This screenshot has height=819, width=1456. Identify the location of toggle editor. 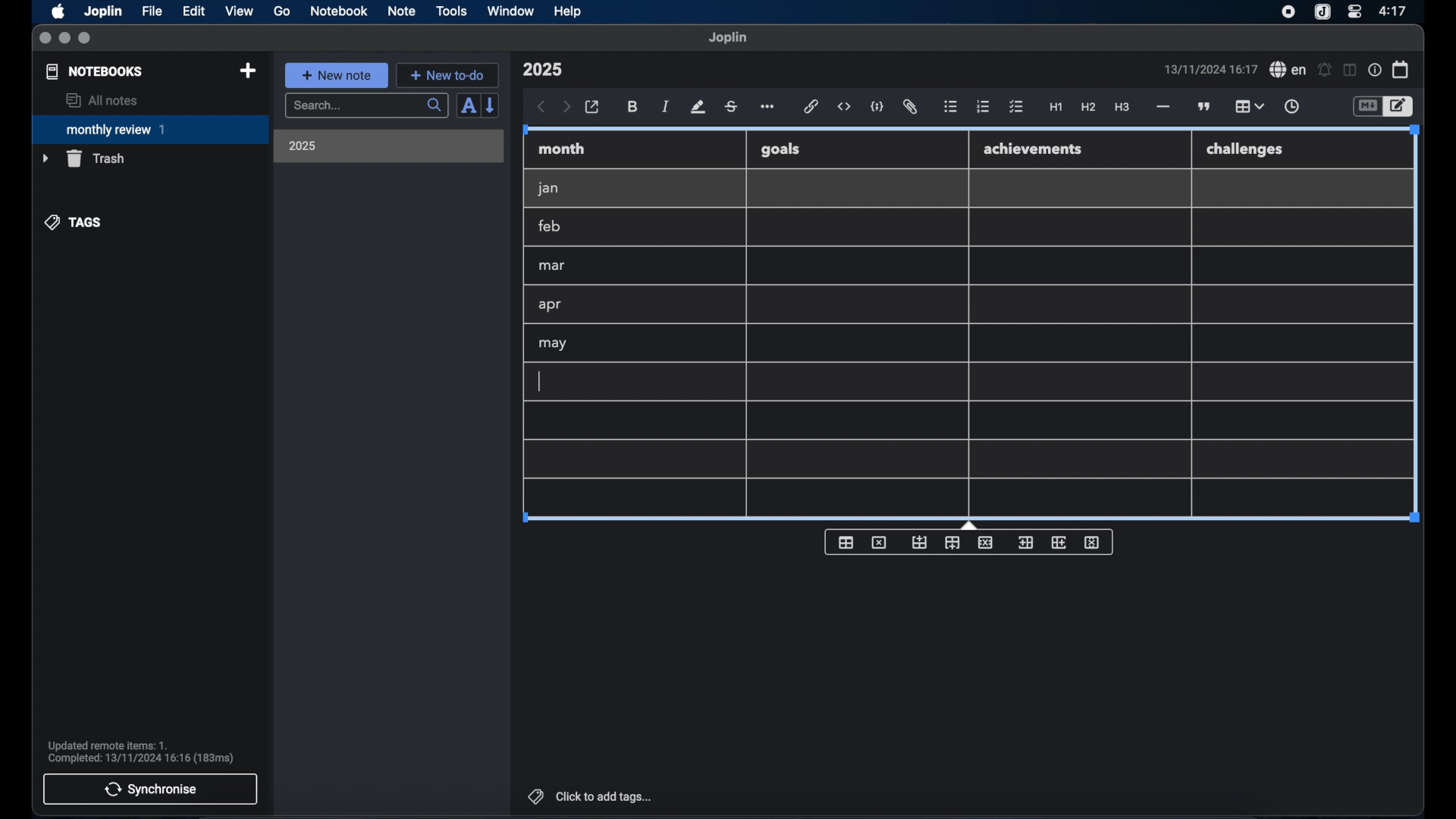
(1401, 107).